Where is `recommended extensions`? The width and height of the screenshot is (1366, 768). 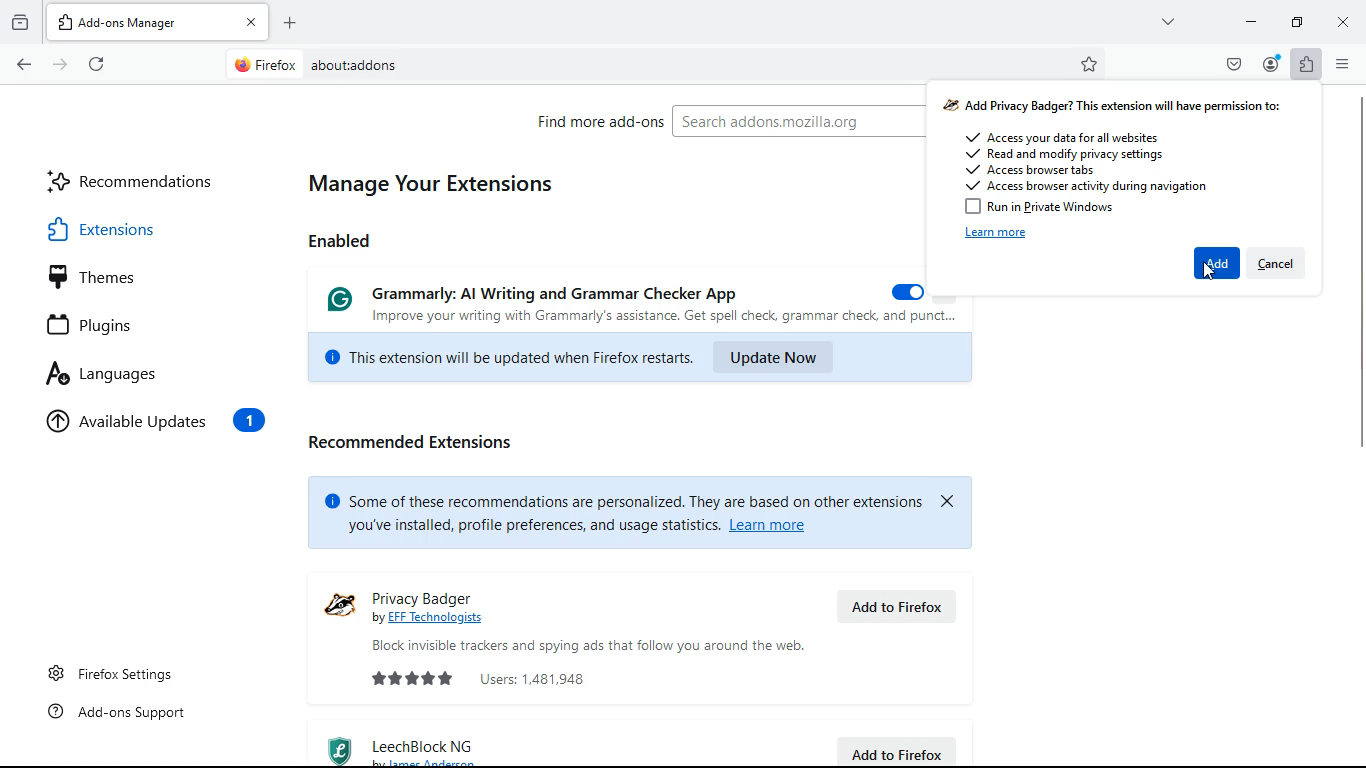 recommended extensions is located at coordinates (427, 443).